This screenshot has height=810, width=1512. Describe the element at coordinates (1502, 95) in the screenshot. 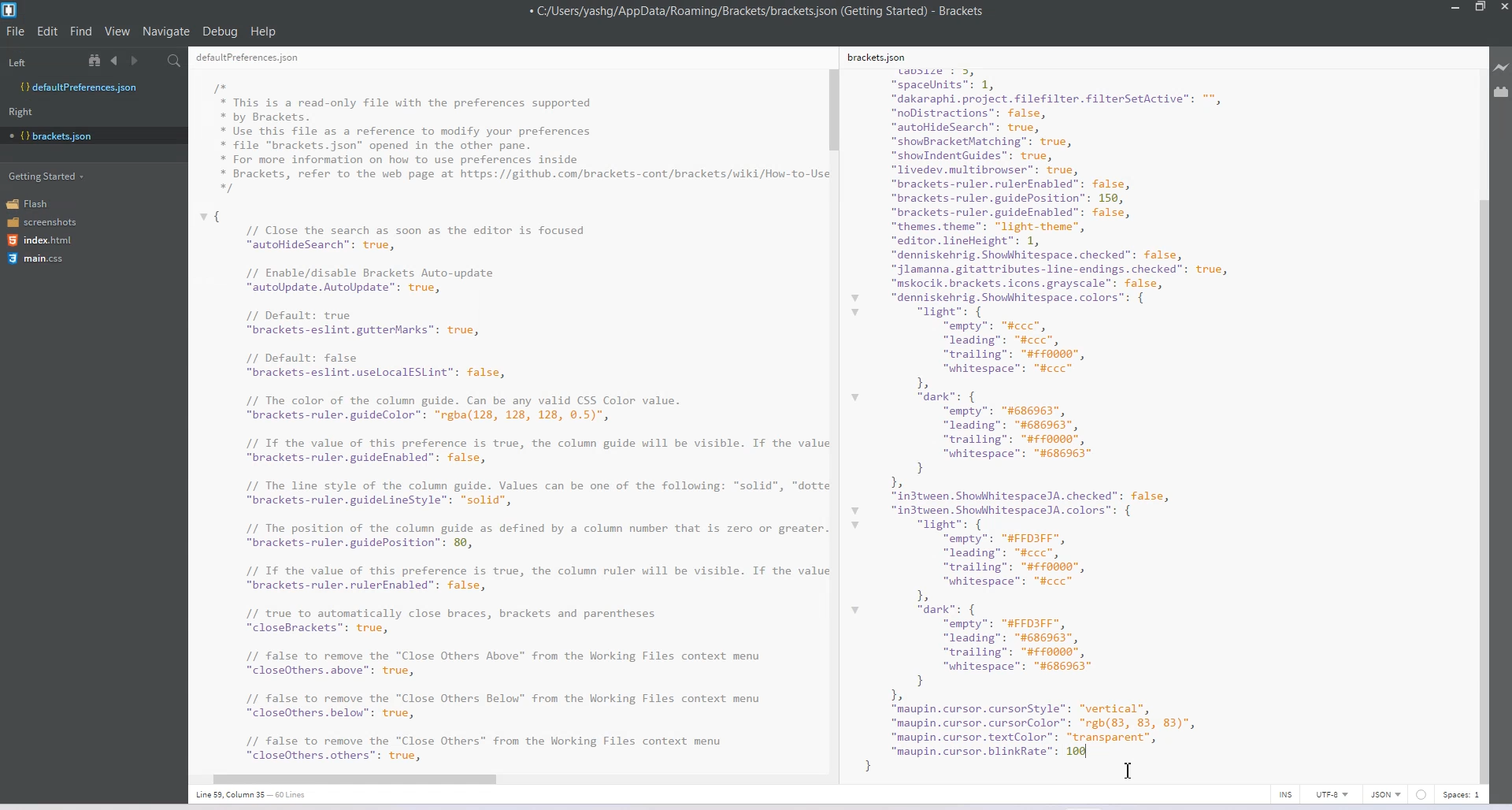

I see `Extension Manager` at that location.